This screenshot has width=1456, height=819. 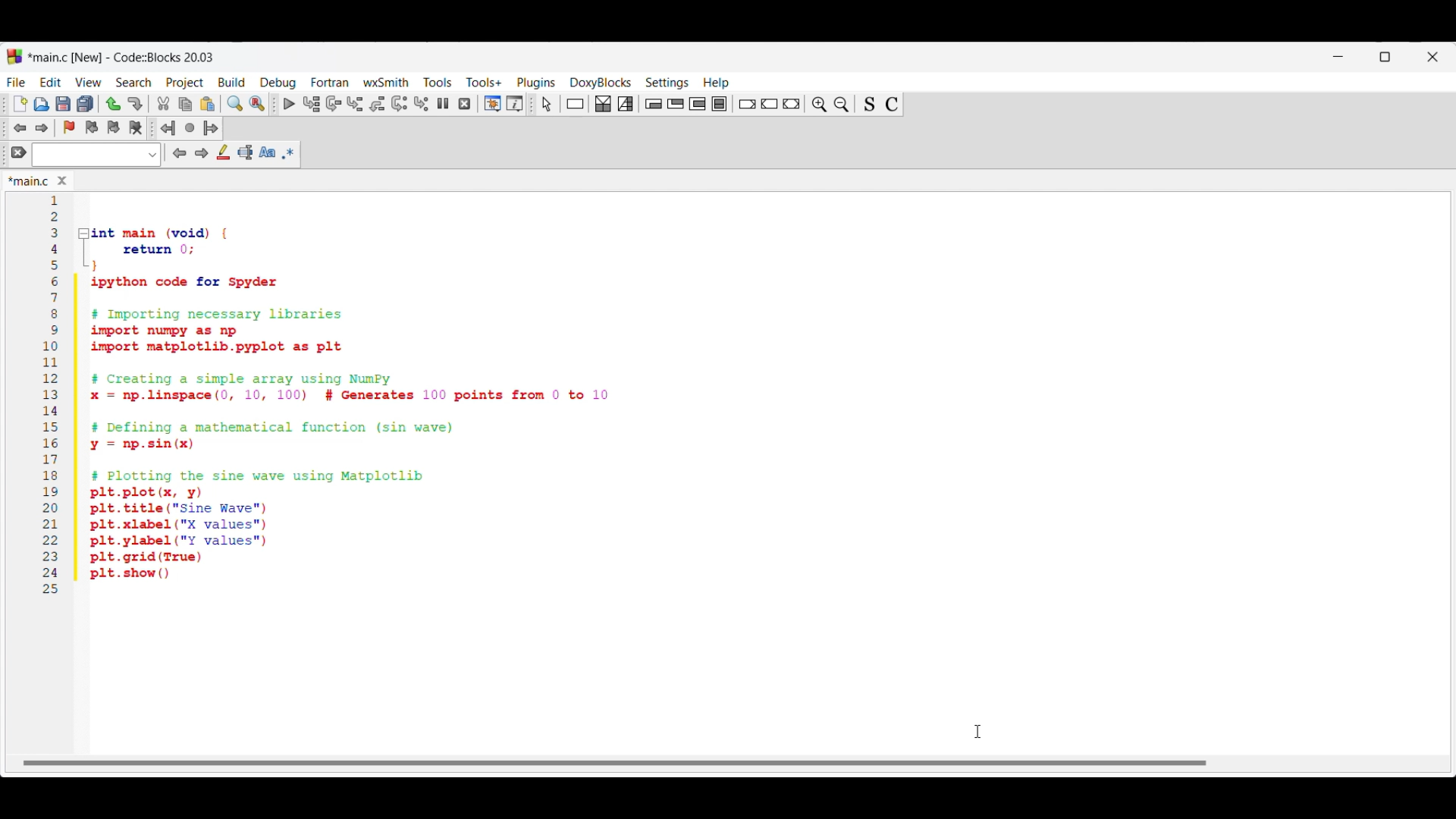 What do you see at coordinates (547, 104) in the screenshot?
I see `Select` at bounding box center [547, 104].